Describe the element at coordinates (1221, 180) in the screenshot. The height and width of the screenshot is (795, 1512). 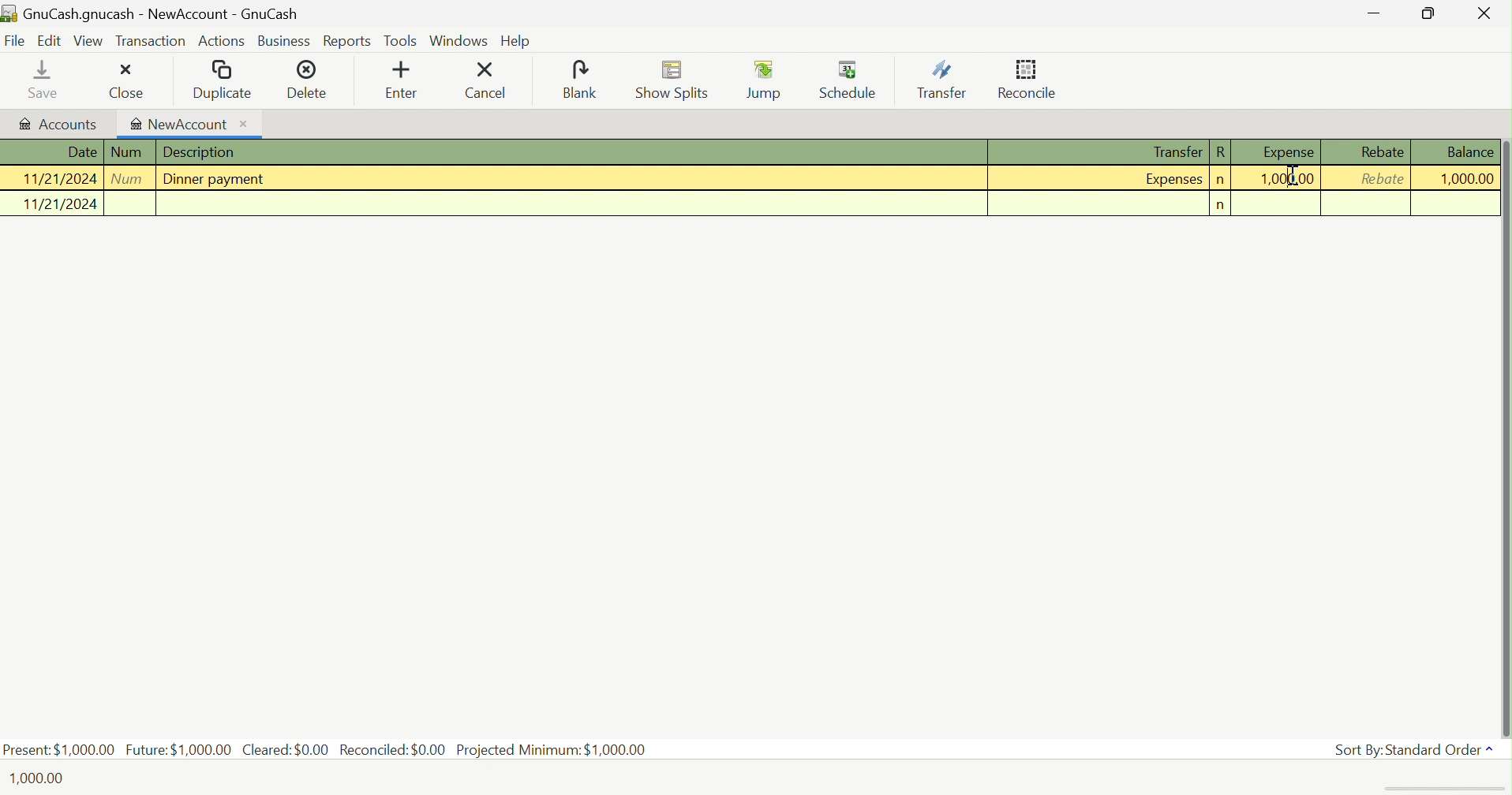
I see `n` at that location.